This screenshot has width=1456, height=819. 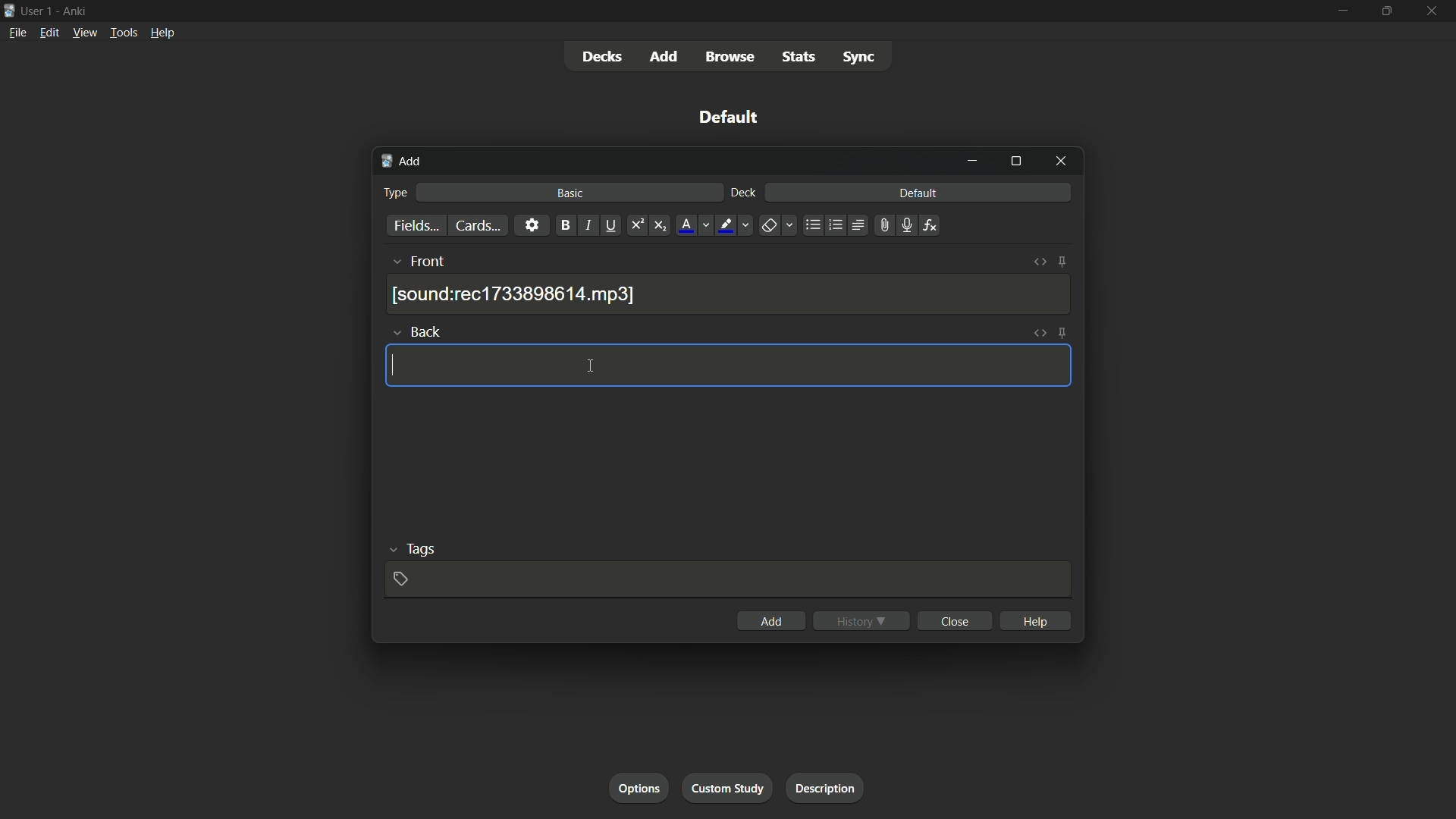 I want to click on remove  formatting, so click(x=768, y=226).